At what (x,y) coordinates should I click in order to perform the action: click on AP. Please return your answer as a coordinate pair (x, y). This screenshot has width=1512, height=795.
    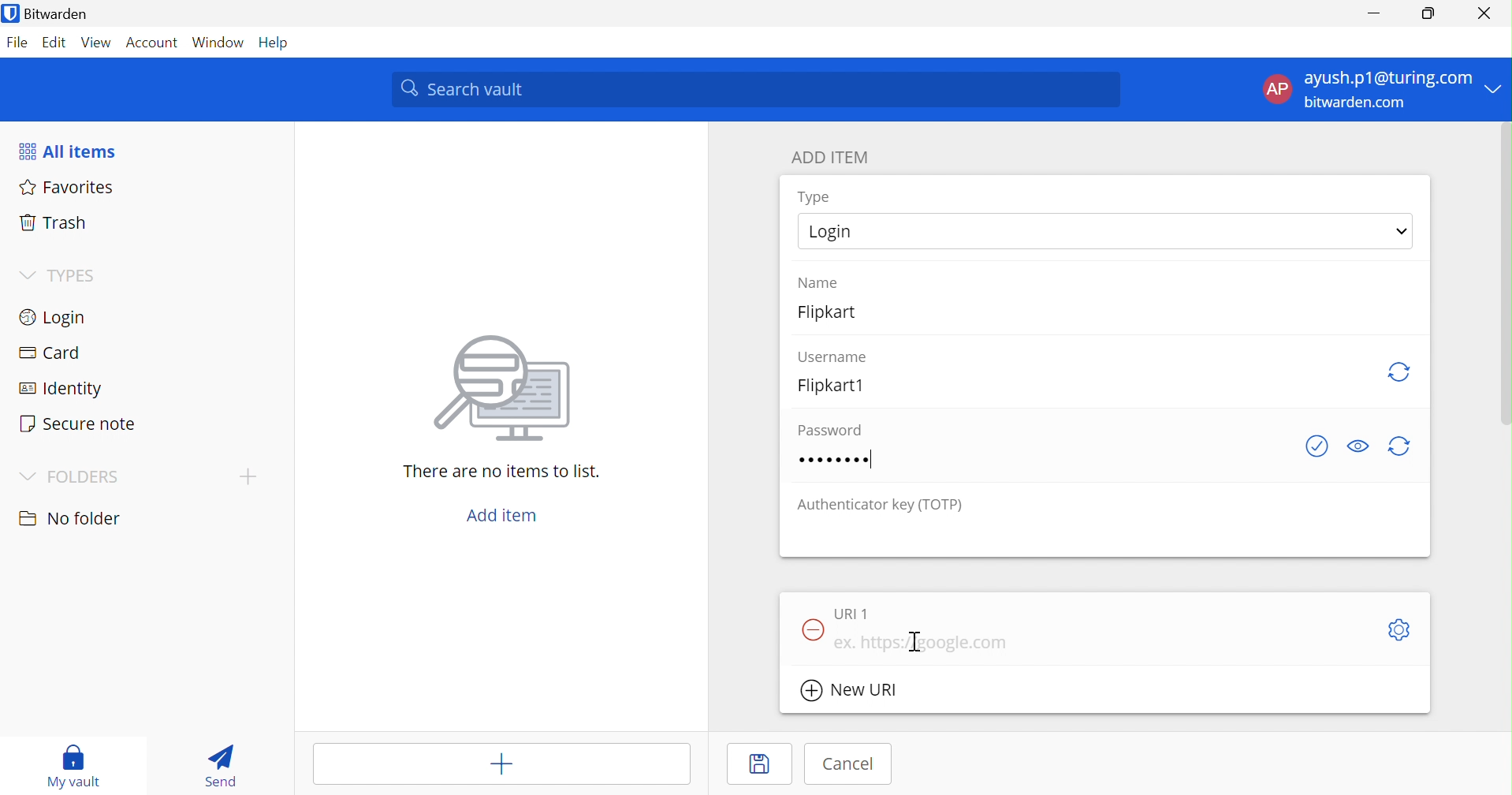
    Looking at the image, I should click on (1276, 88).